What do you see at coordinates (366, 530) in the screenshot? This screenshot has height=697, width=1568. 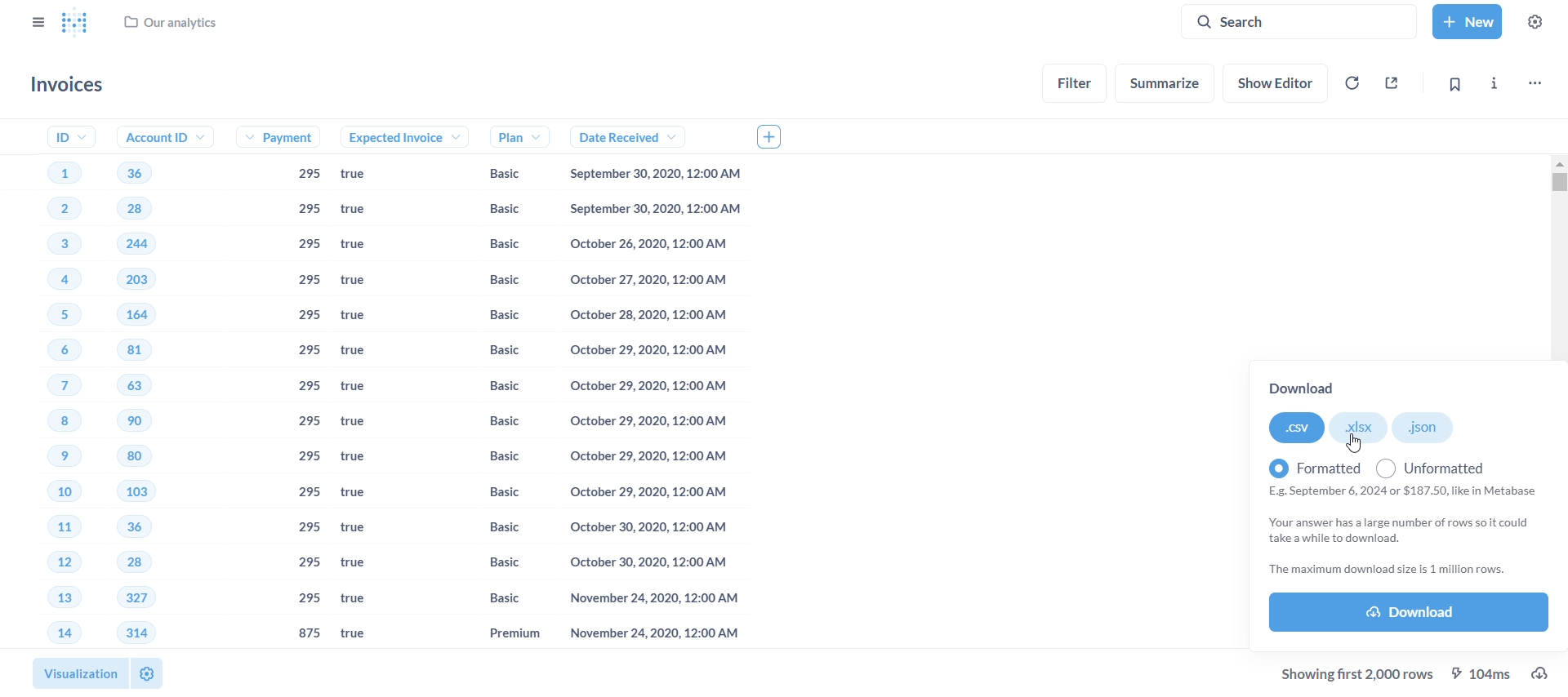 I see `true` at bounding box center [366, 530].